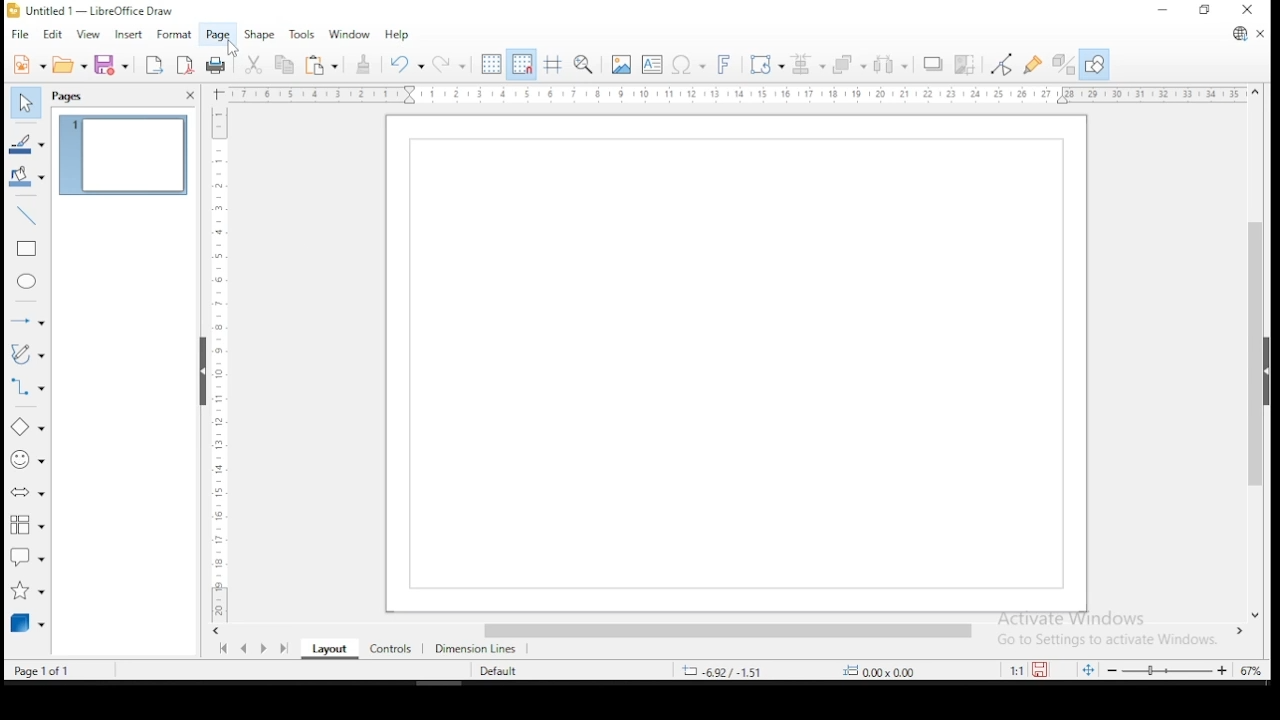 Image resolution: width=1280 pixels, height=720 pixels. What do you see at coordinates (652, 65) in the screenshot?
I see `insert textbox` at bounding box center [652, 65].